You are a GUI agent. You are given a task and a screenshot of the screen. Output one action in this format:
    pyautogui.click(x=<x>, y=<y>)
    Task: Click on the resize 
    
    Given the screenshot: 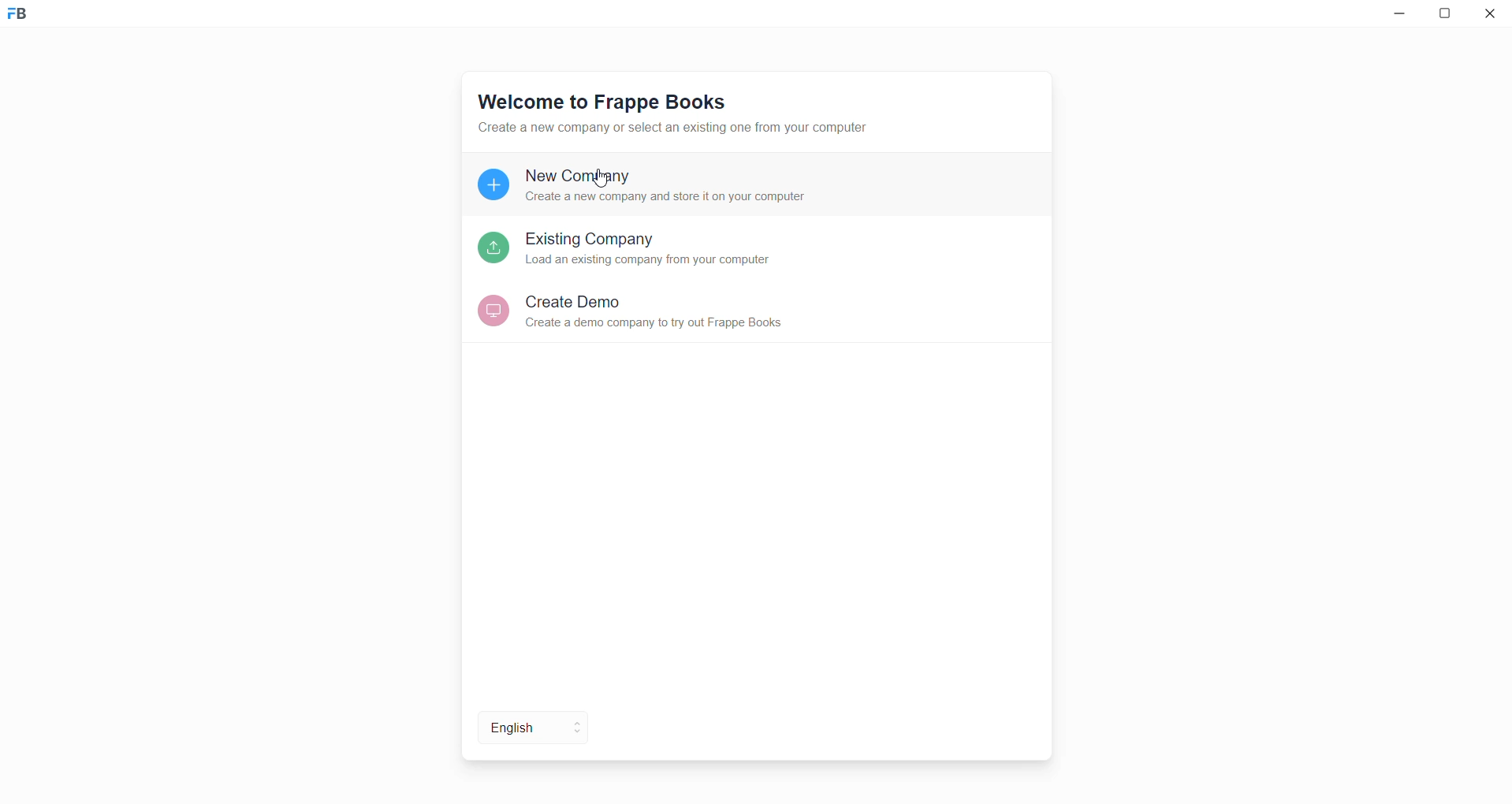 What is the action you would take?
    pyautogui.click(x=1449, y=16)
    